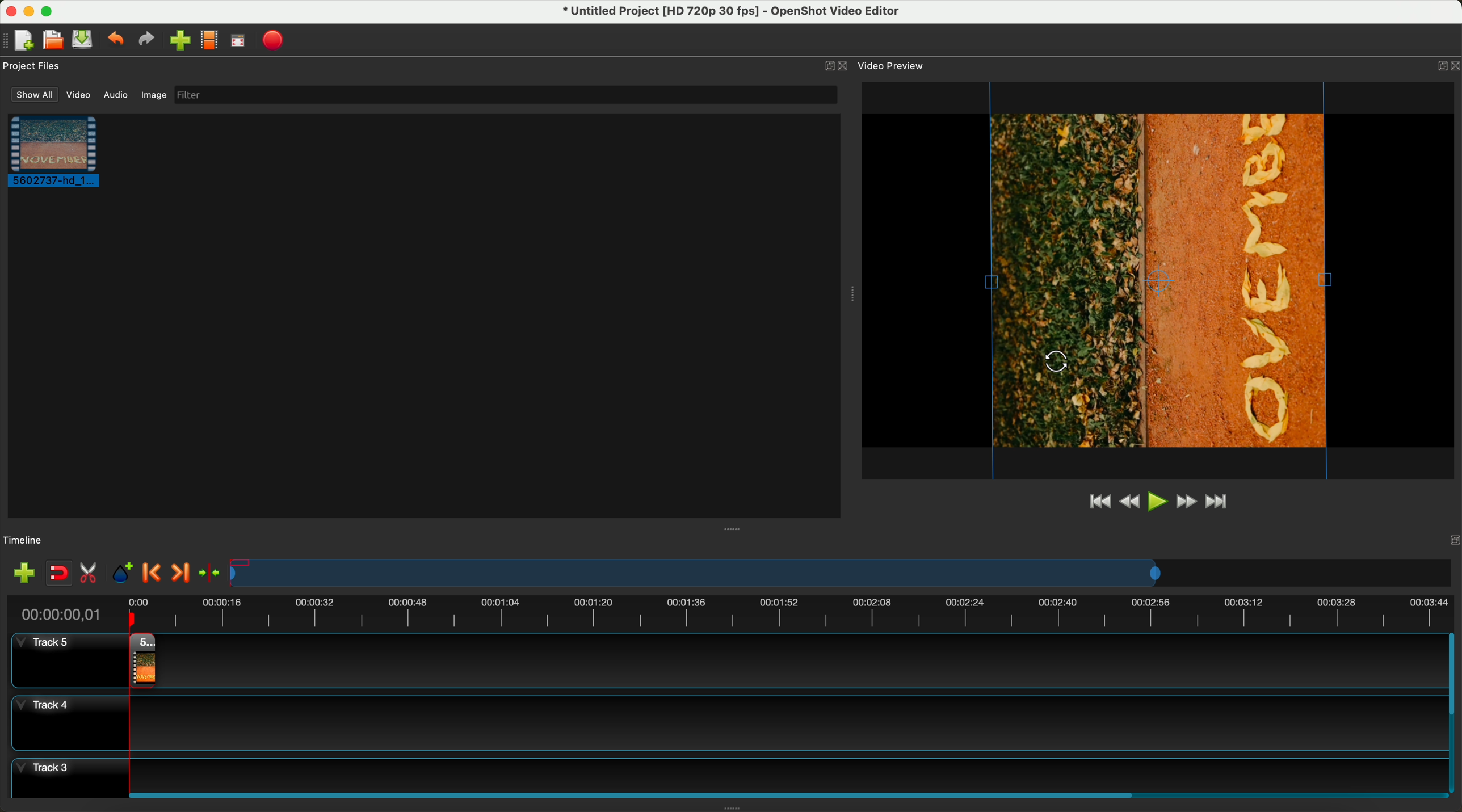 This screenshot has height=812, width=1462. Describe the element at coordinates (1450, 540) in the screenshot. I see `` at that location.